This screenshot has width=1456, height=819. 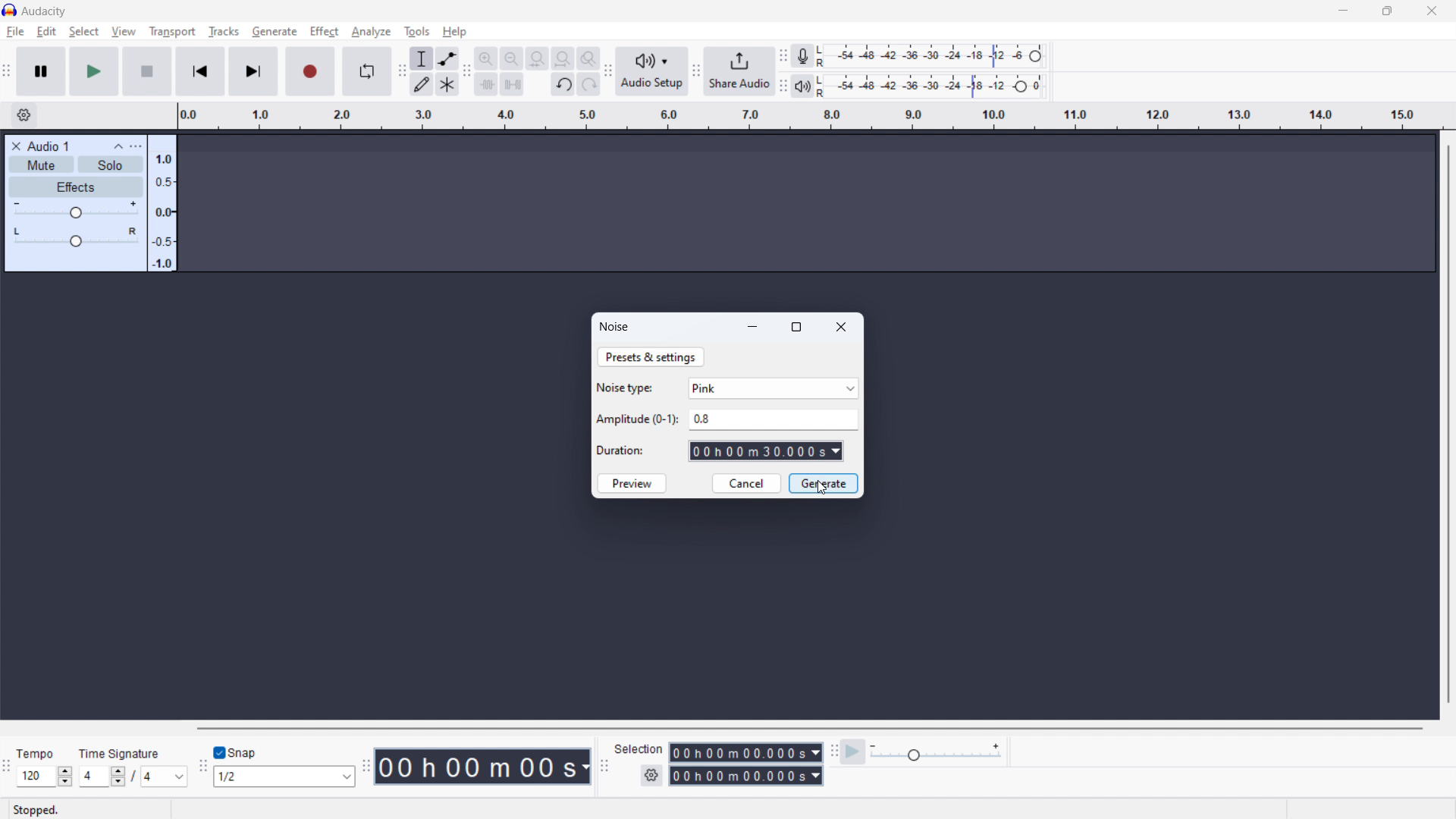 I want to click on Tempo, so click(x=38, y=753).